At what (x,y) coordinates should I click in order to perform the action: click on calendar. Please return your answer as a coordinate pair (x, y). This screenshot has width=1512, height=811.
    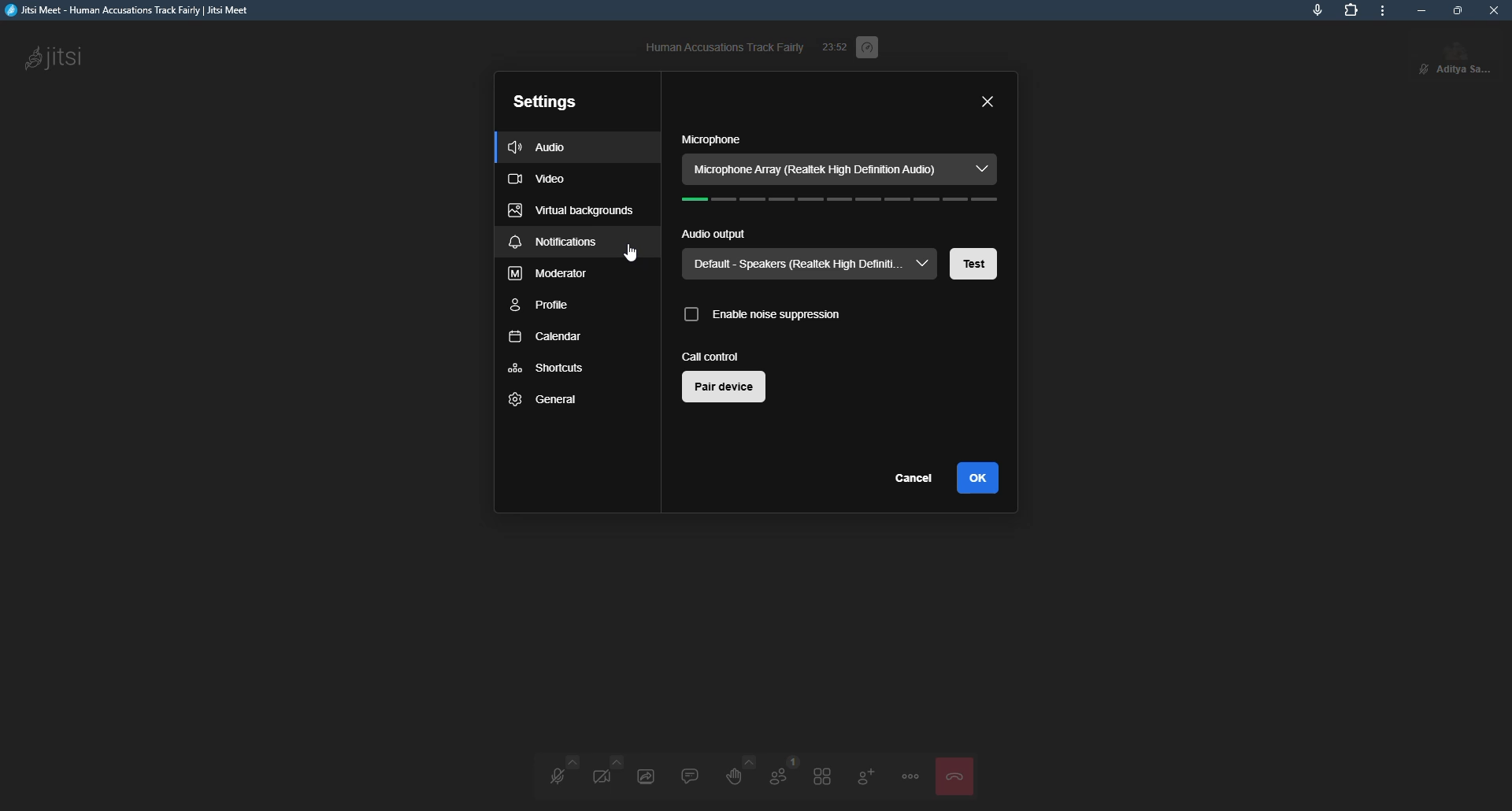
    Looking at the image, I should click on (548, 338).